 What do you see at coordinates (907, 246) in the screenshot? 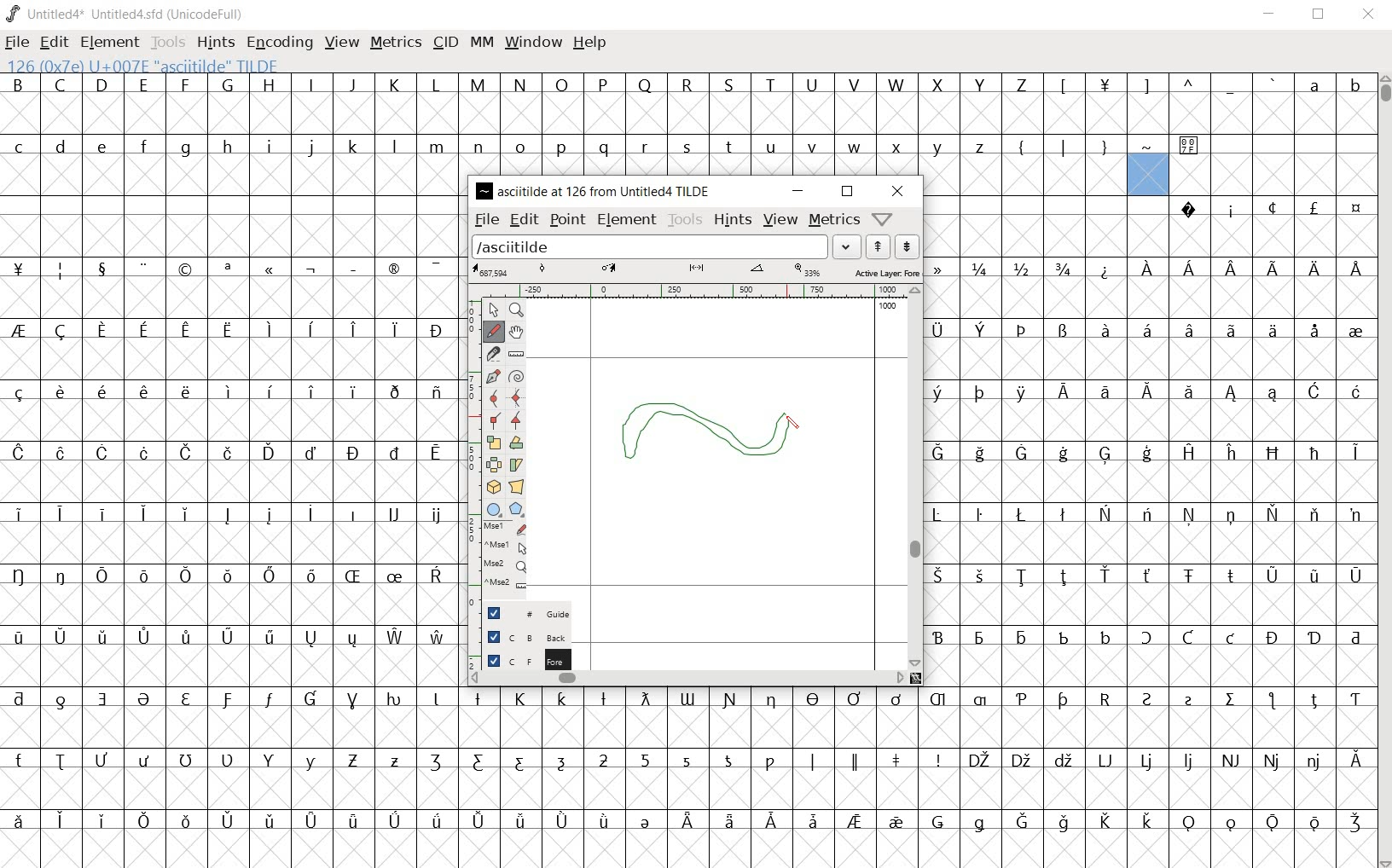
I see `show the previous word on the list` at bounding box center [907, 246].